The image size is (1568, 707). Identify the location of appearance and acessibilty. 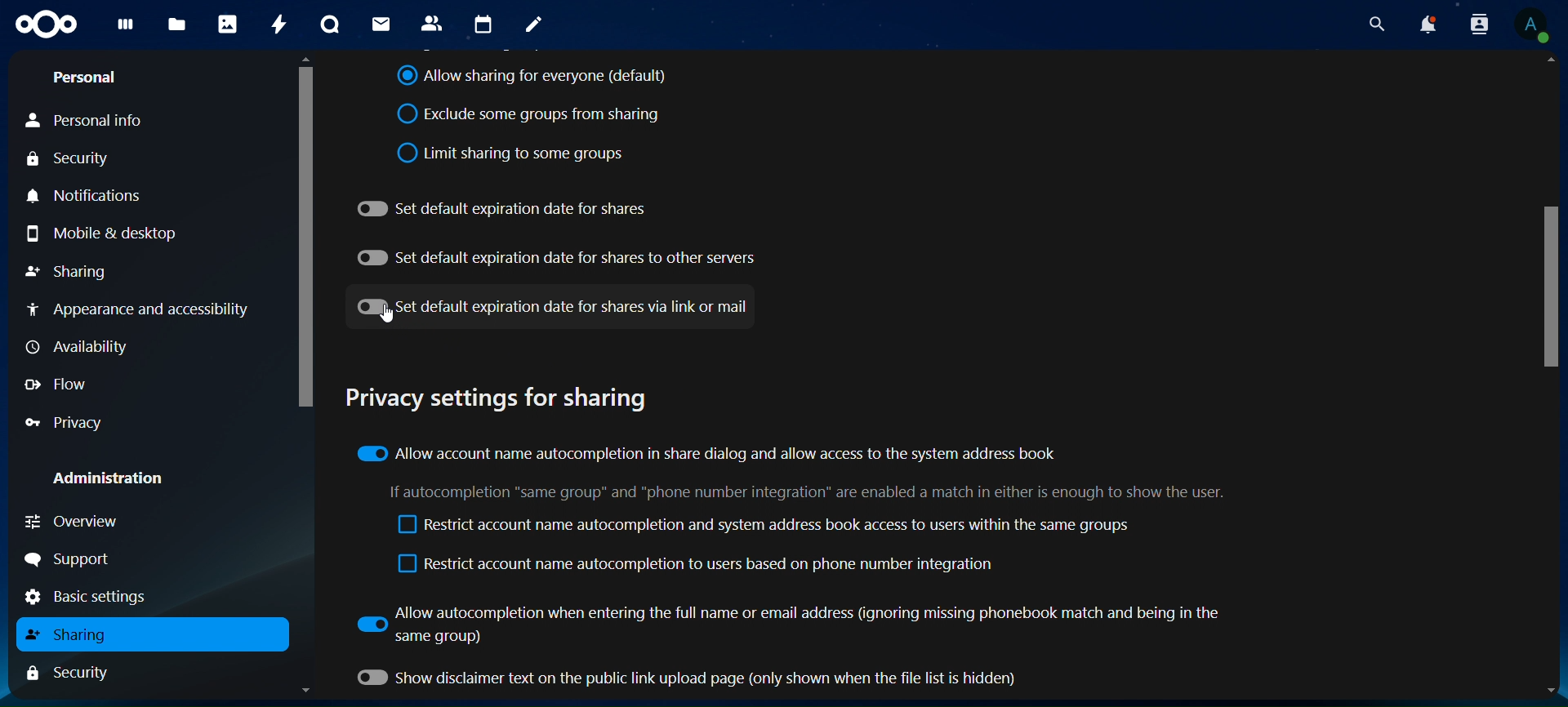
(141, 306).